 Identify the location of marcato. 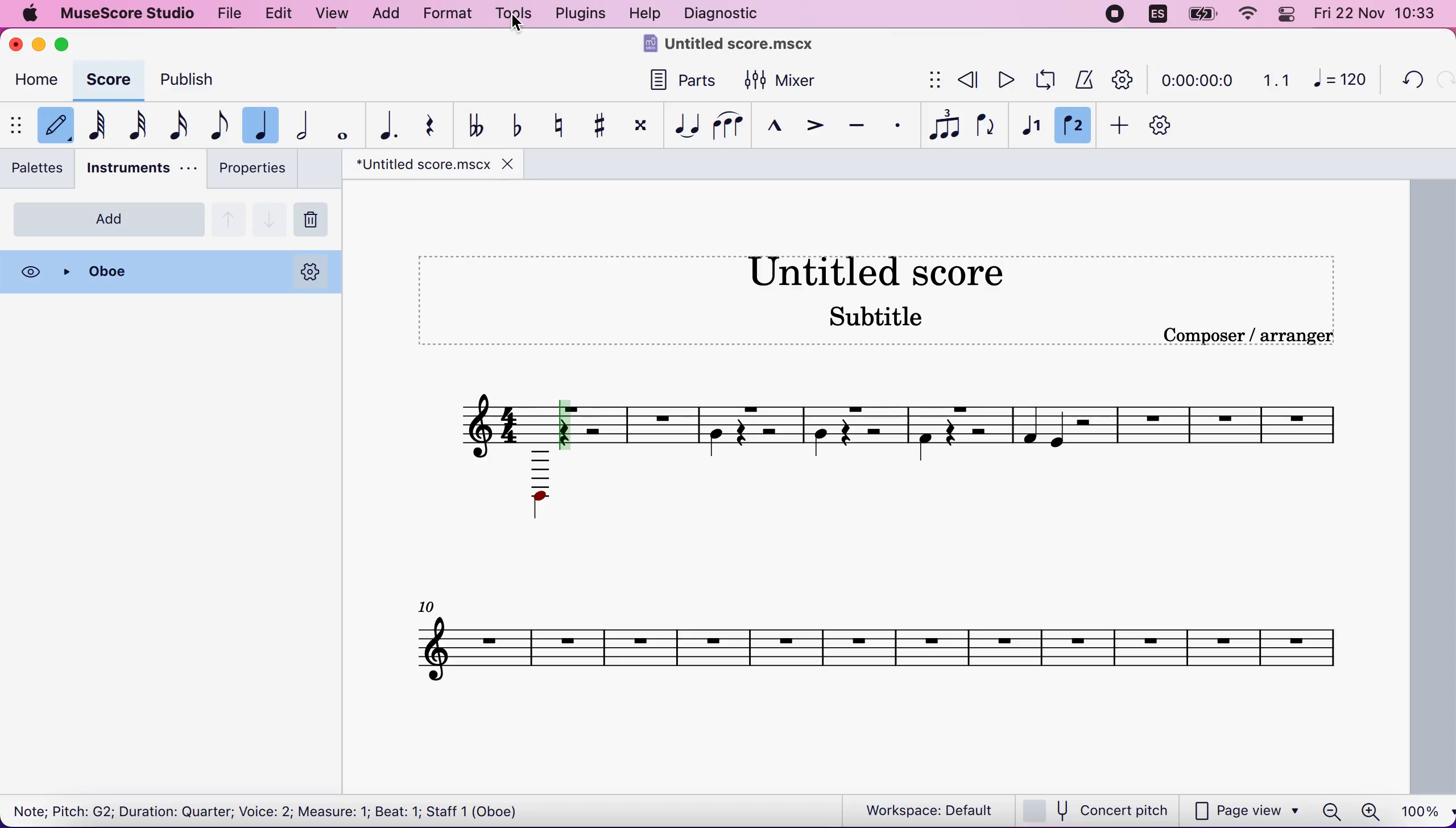
(781, 127).